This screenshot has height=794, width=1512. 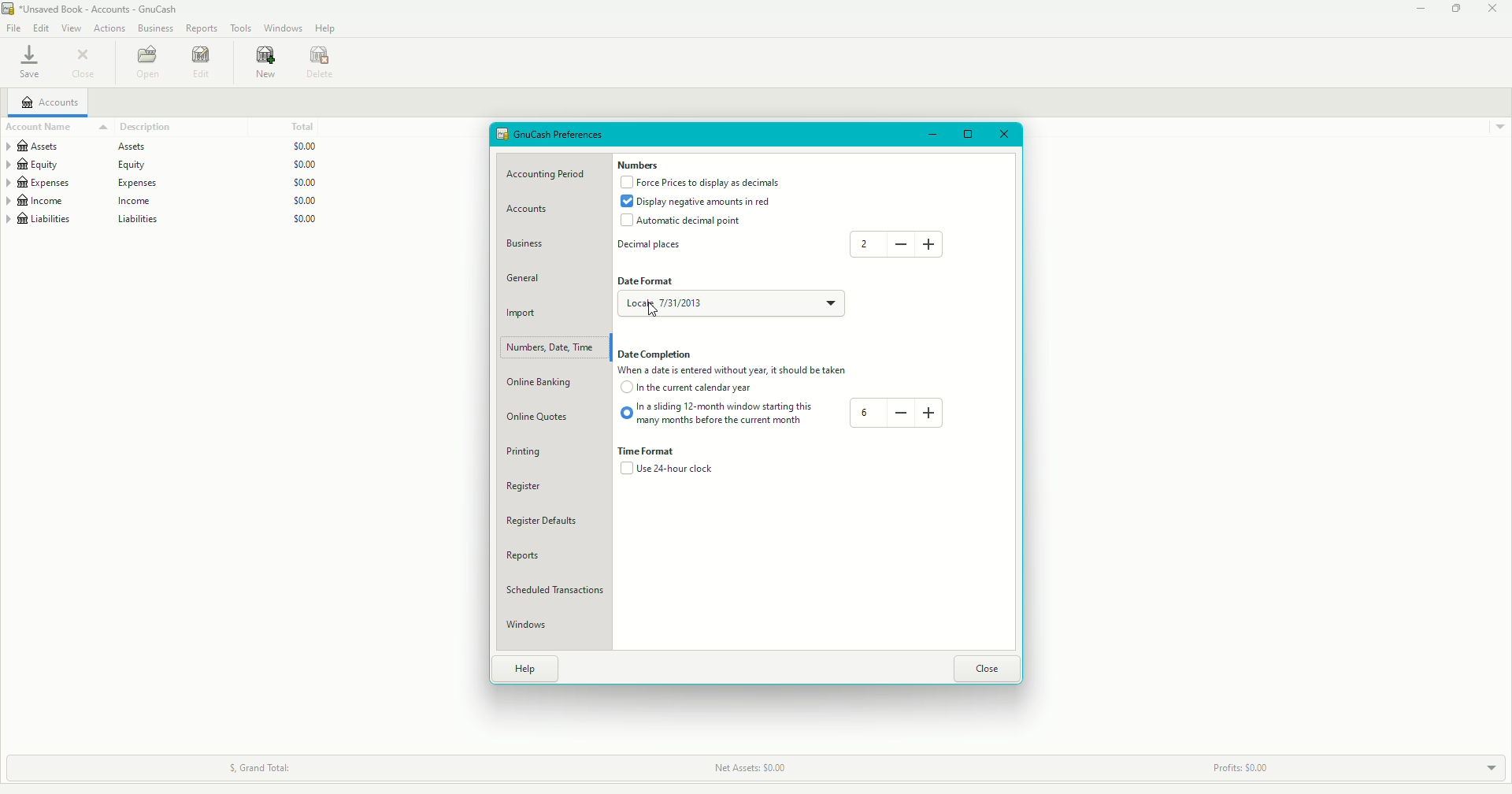 What do you see at coordinates (109, 28) in the screenshot?
I see `Actions` at bounding box center [109, 28].